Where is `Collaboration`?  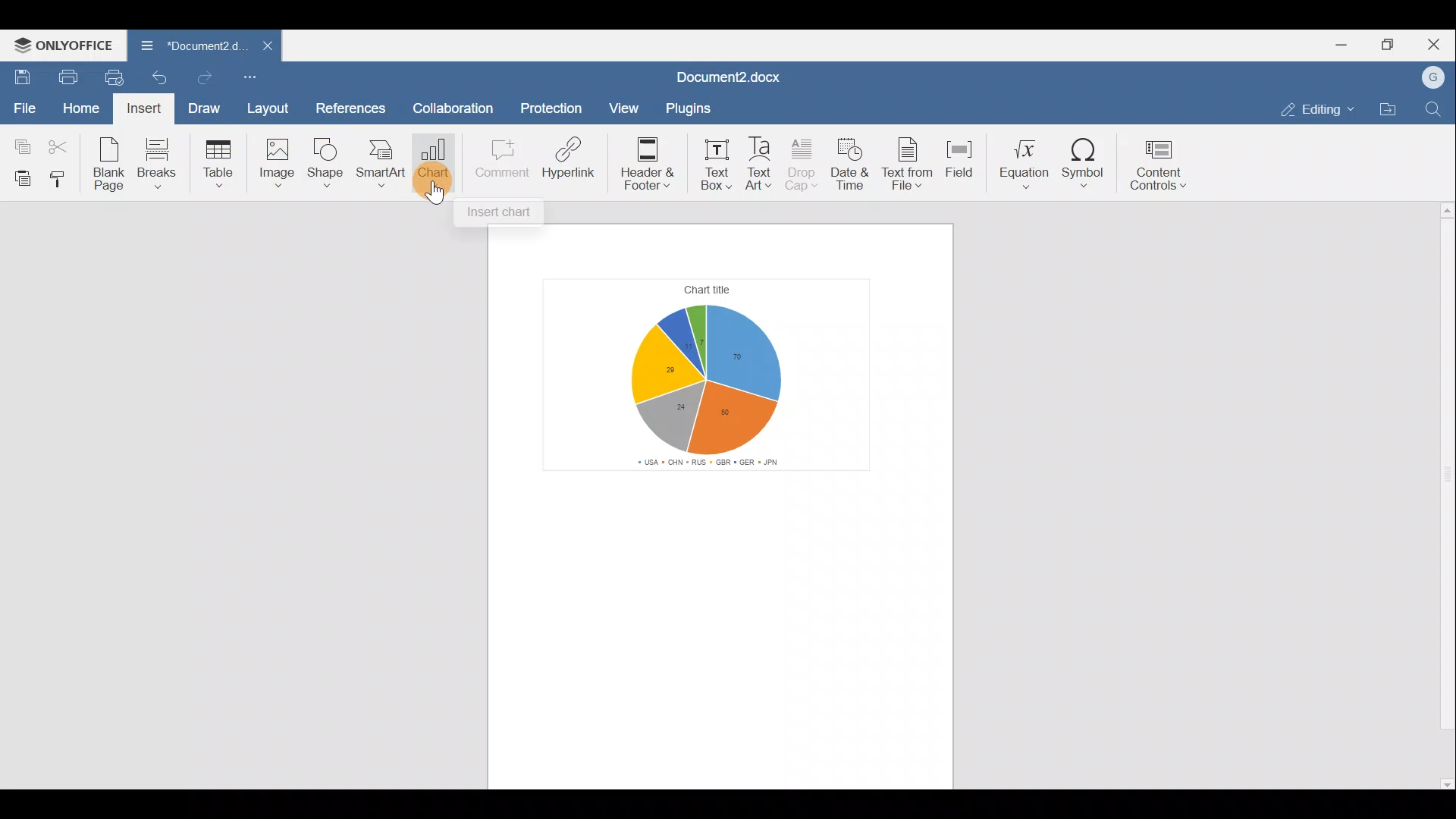
Collaboration is located at coordinates (459, 104).